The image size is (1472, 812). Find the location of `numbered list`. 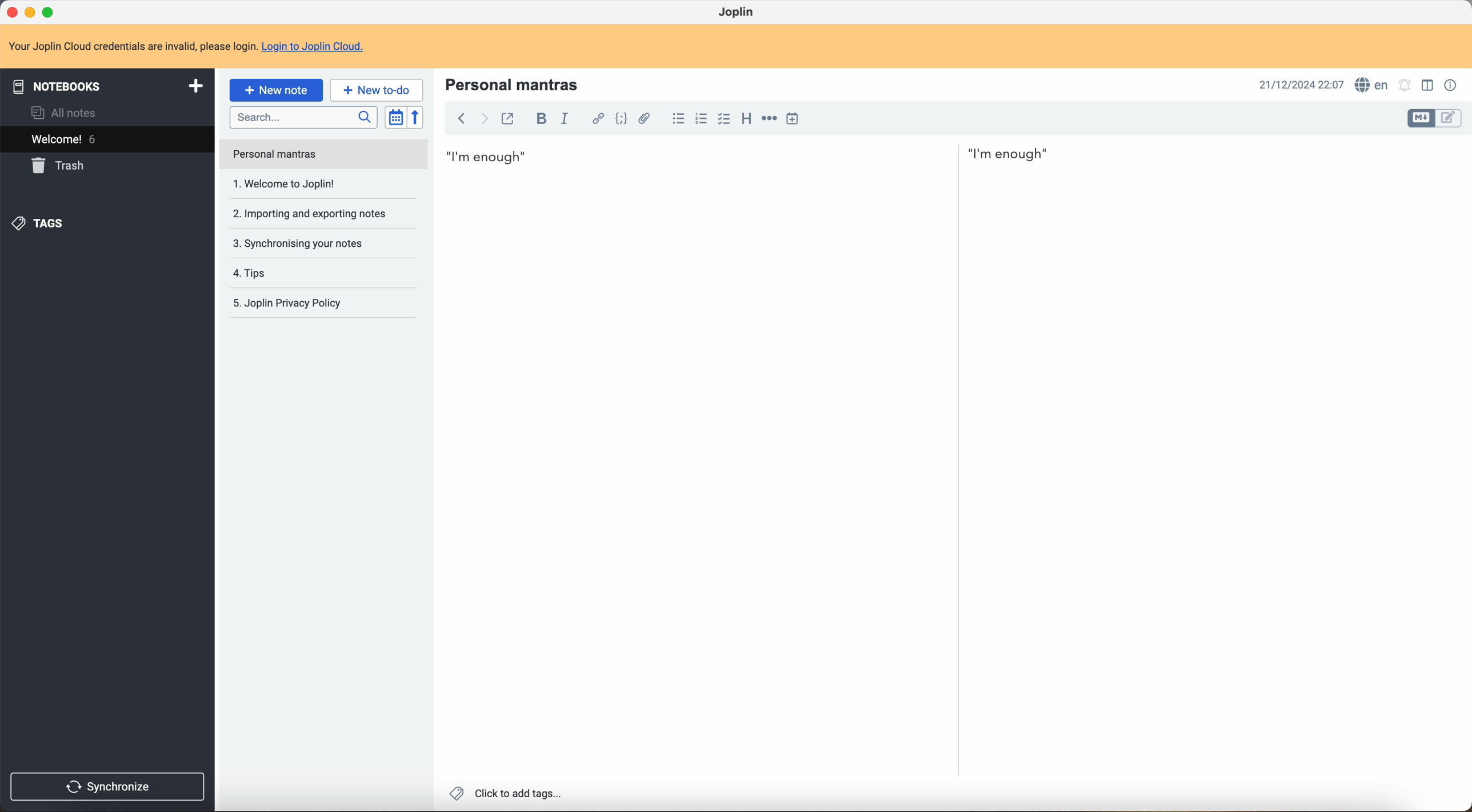

numbered list is located at coordinates (702, 118).